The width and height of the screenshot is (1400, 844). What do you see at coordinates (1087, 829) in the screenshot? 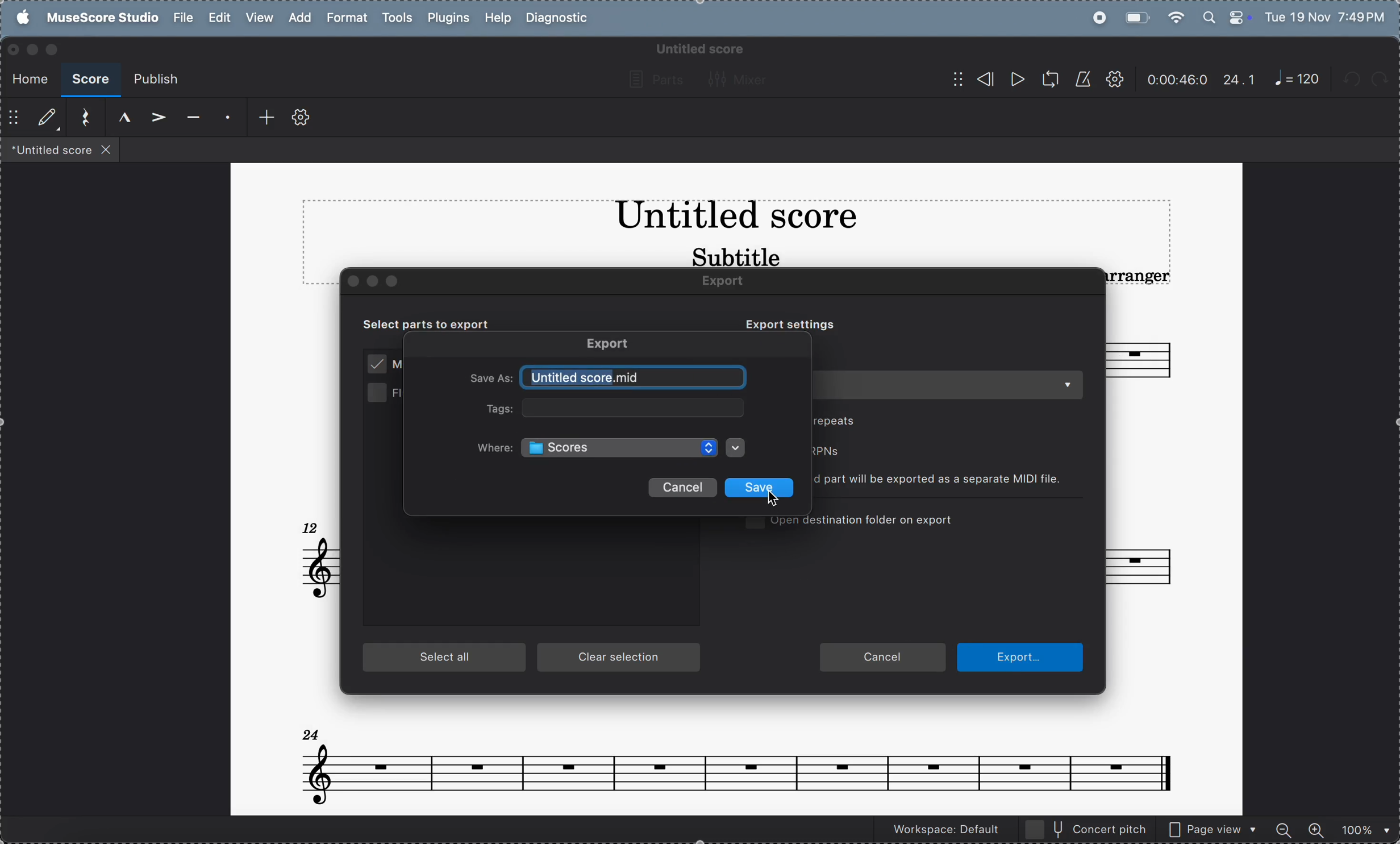
I see `concert pitch` at bounding box center [1087, 829].